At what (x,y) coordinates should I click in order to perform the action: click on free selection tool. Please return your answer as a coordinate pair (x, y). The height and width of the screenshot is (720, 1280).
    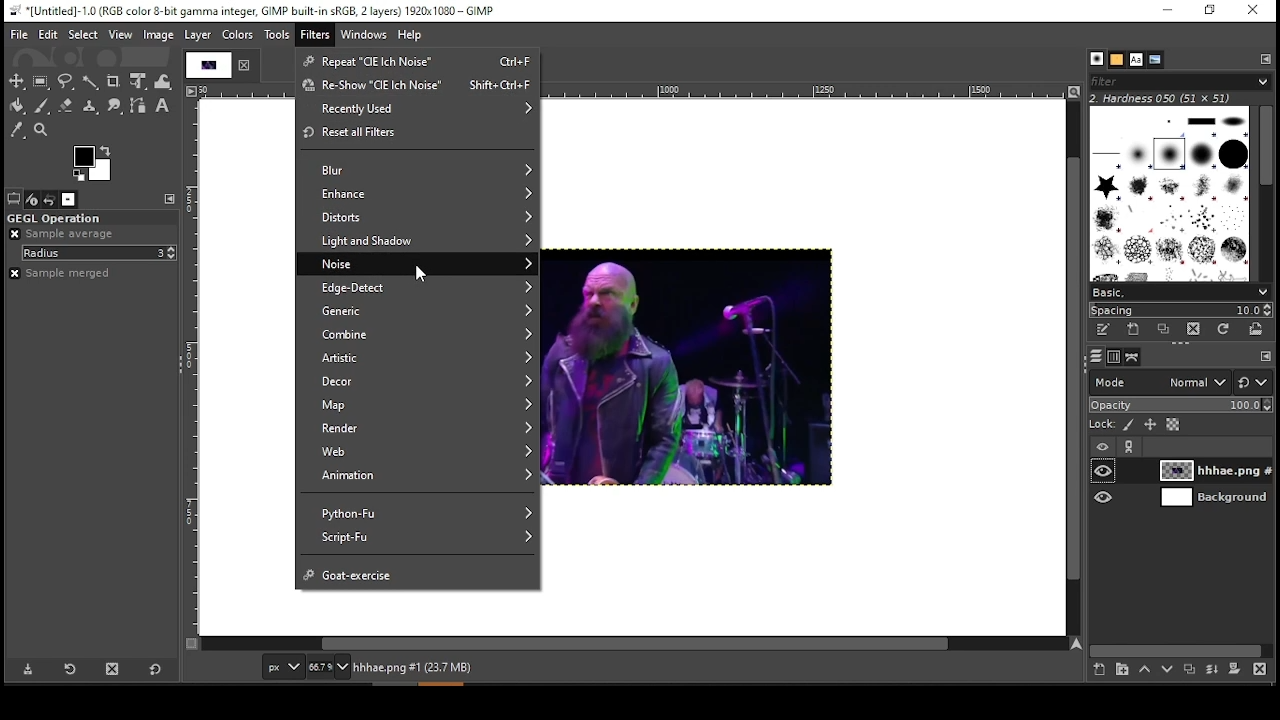
    Looking at the image, I should click on (68, 82).